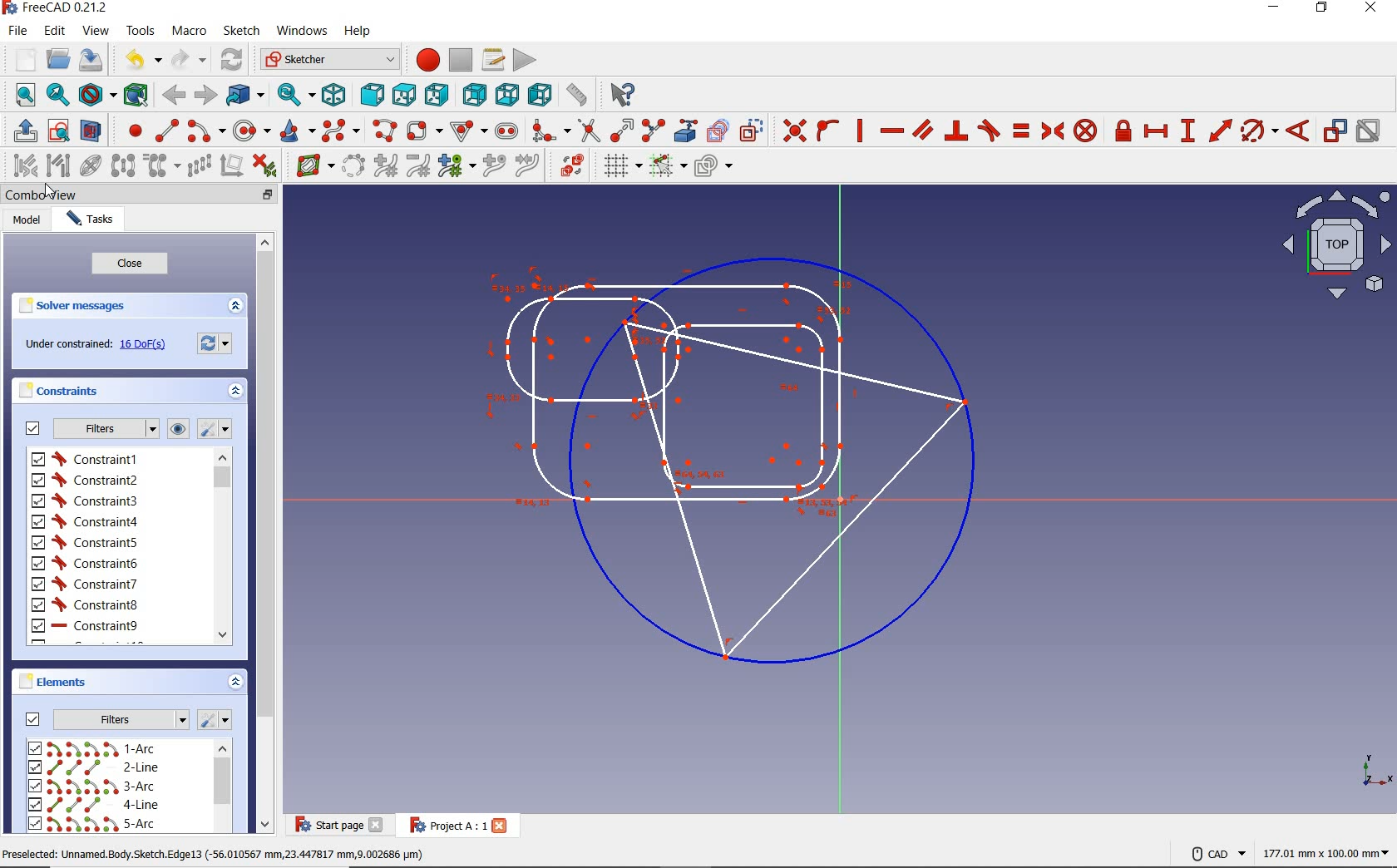  What do you see at coordinates (922, 131) in the screenshot?
I see `constrain parallel` at bounding box center [922, 131].